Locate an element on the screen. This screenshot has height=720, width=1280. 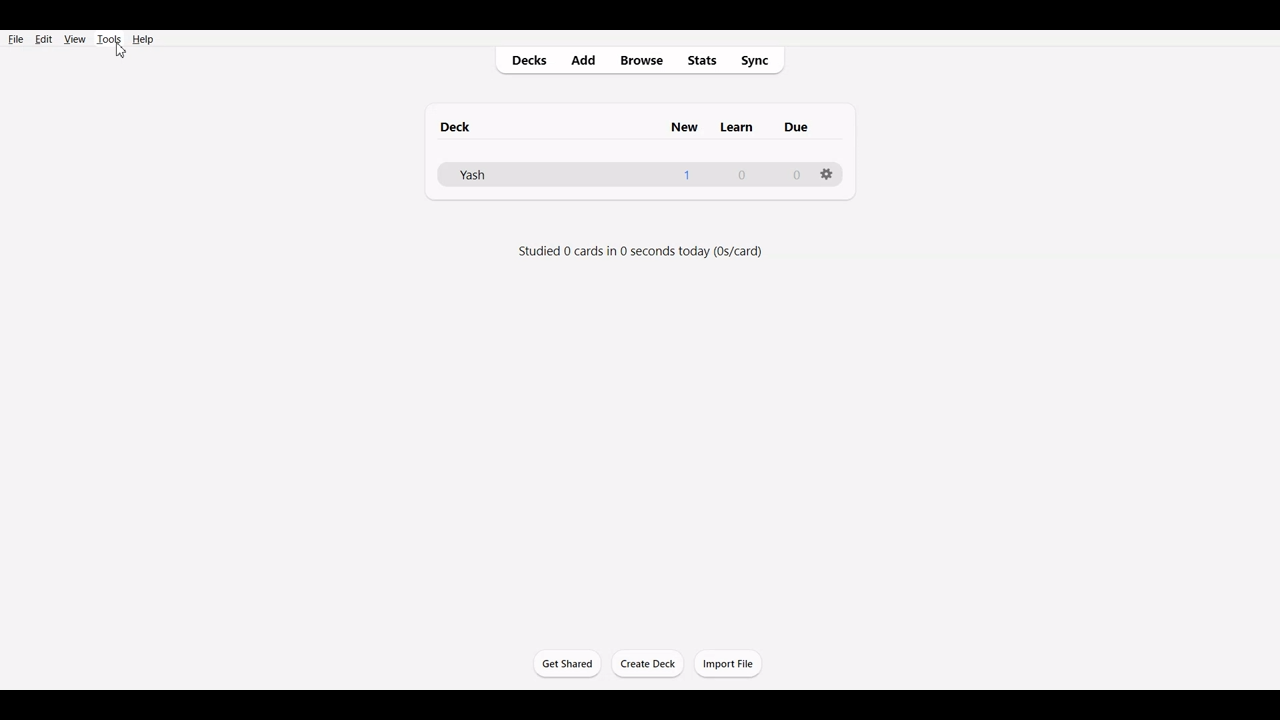
File is located at coordinates (16, 38).